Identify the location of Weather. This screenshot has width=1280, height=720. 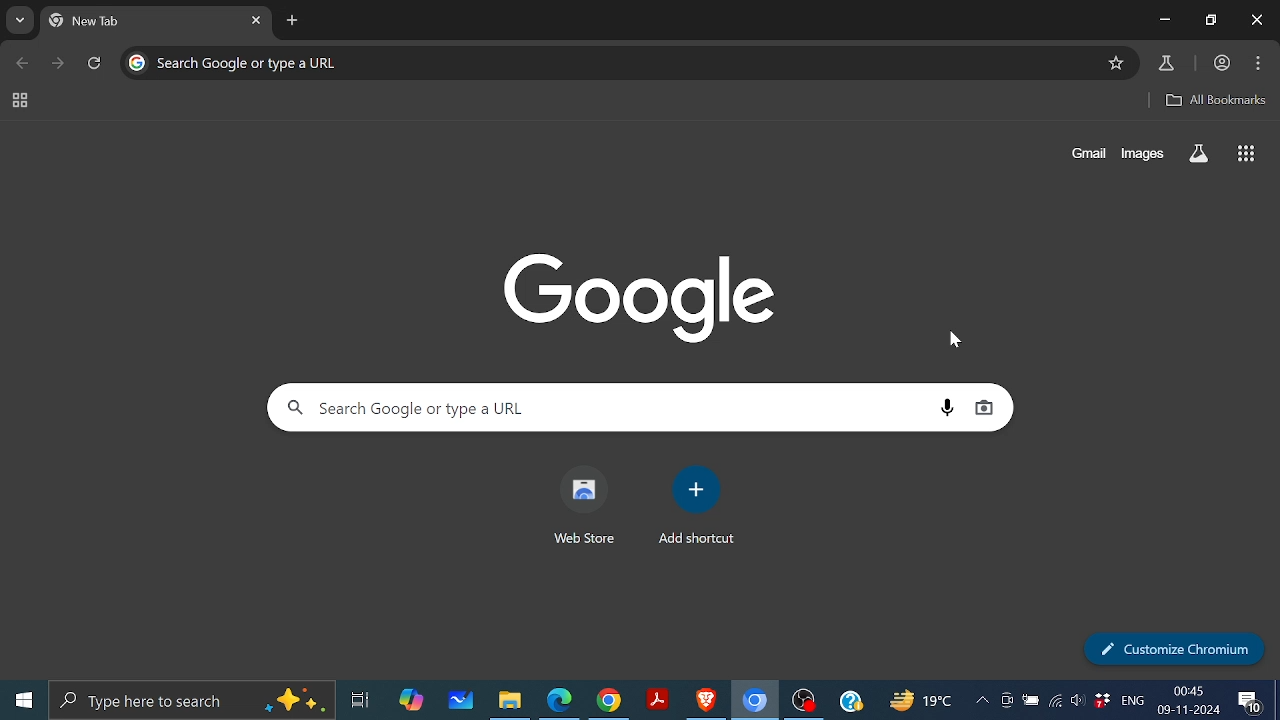
(921, 700).